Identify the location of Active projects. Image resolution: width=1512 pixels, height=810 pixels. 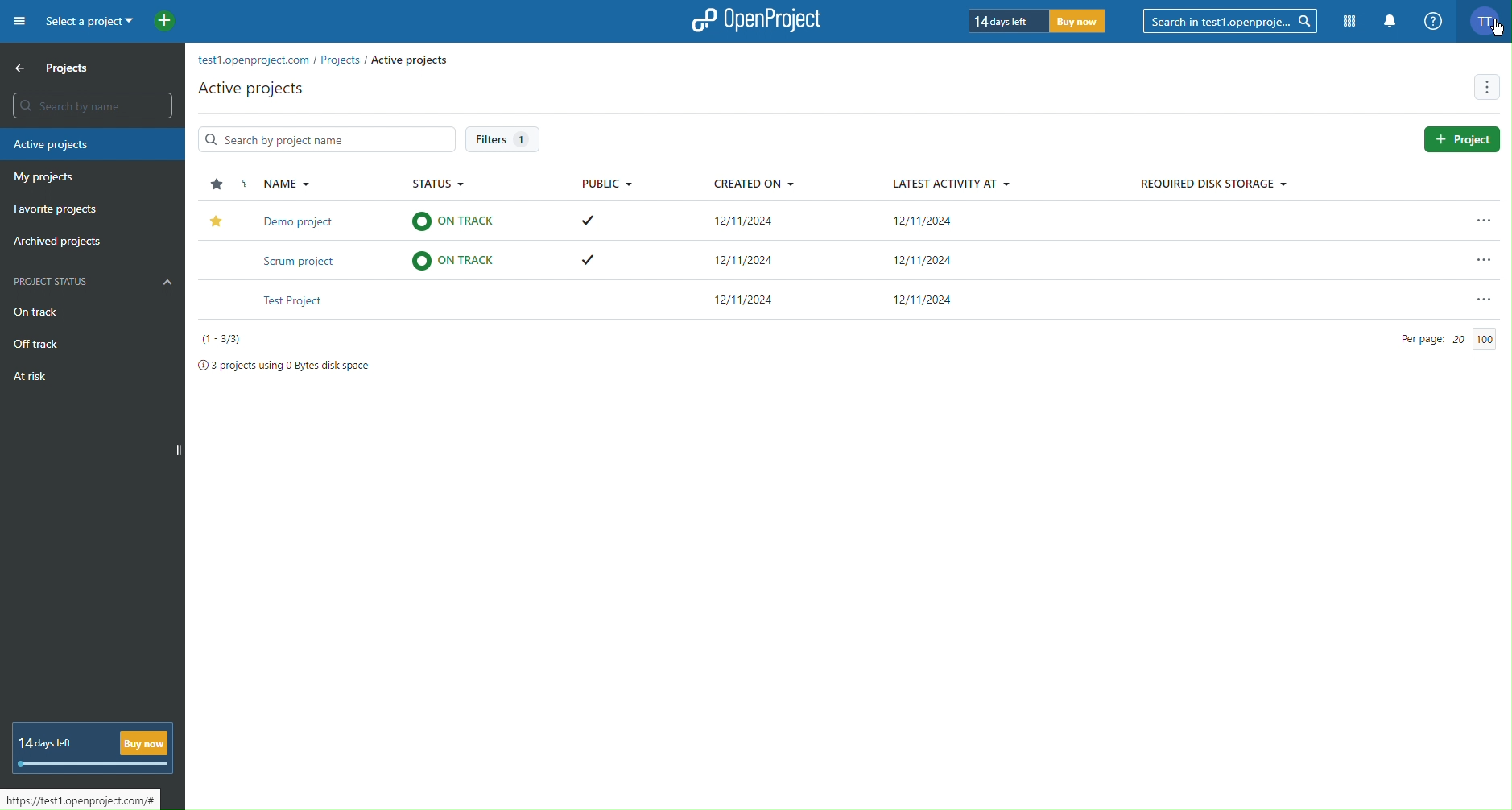
(250, 89).